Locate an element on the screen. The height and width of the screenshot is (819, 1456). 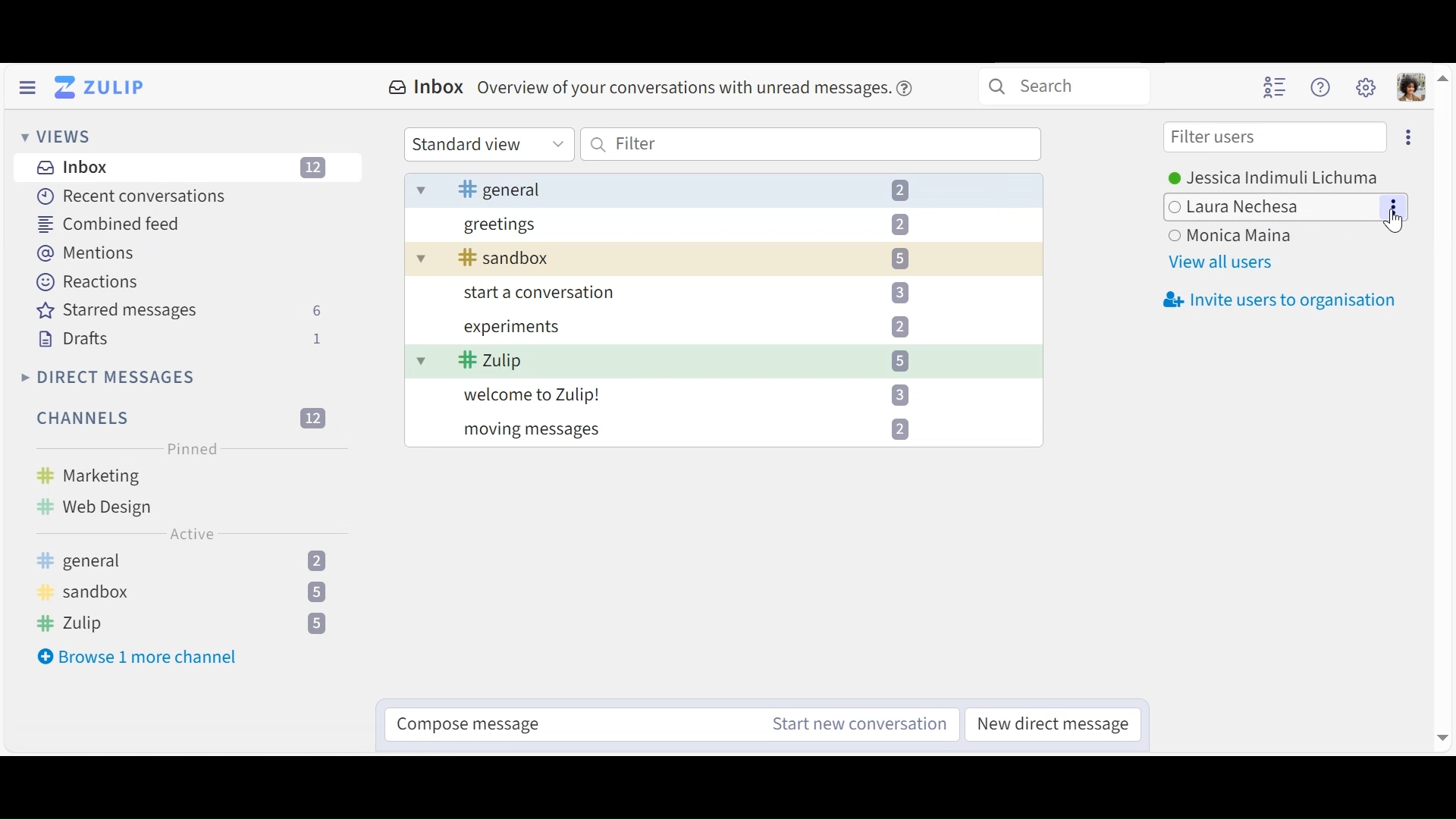
moving messages is located at coordinates (692, 430).